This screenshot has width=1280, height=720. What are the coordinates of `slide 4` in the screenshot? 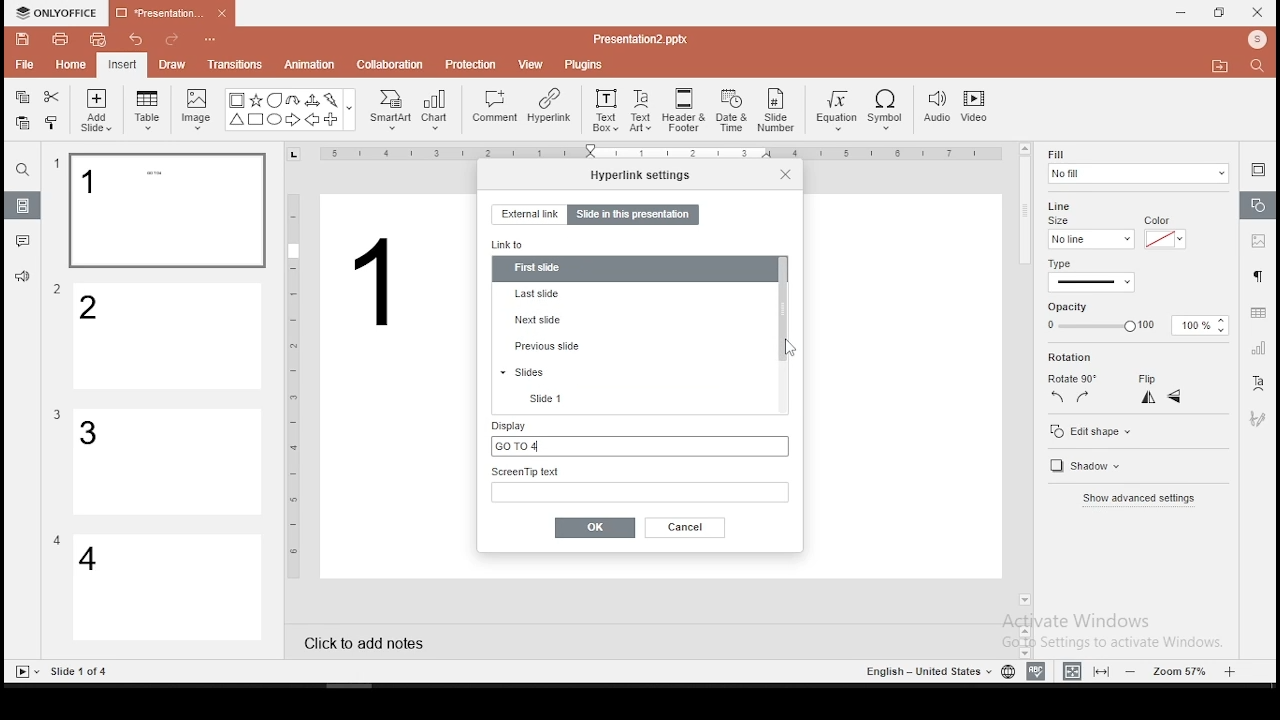 It's located at (168, 589).